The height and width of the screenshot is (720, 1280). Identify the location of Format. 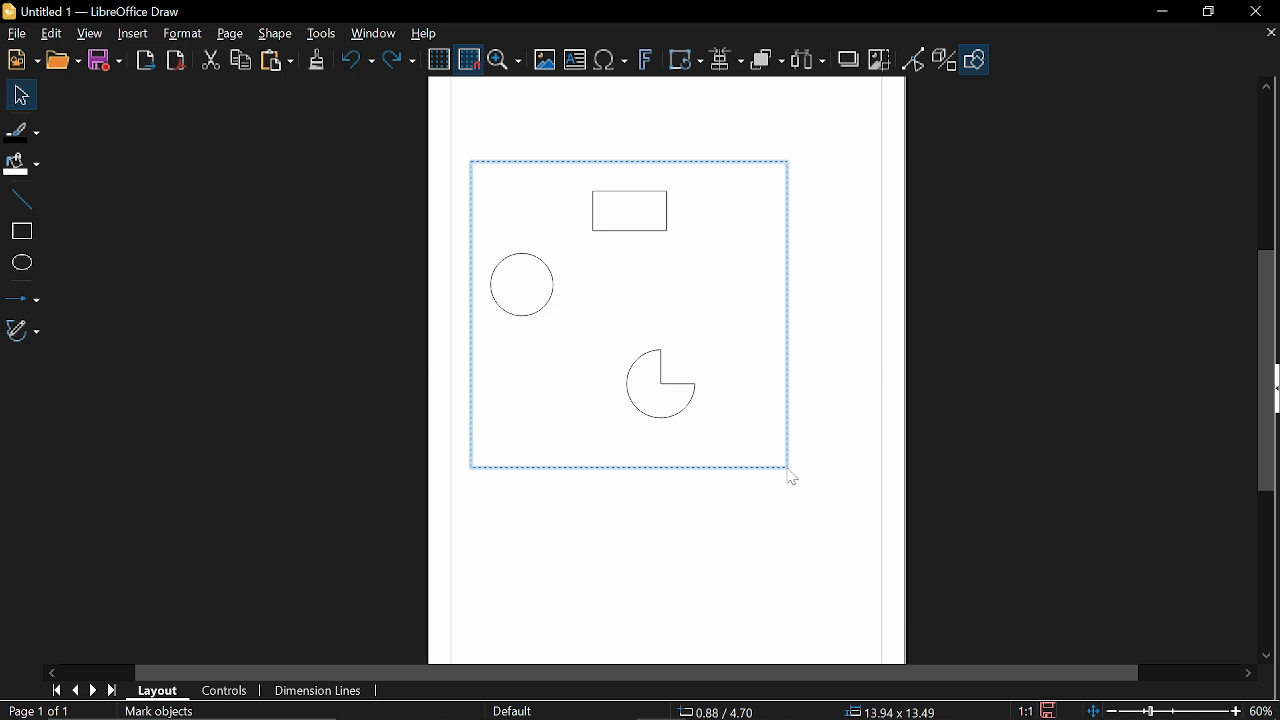
(181, 34).